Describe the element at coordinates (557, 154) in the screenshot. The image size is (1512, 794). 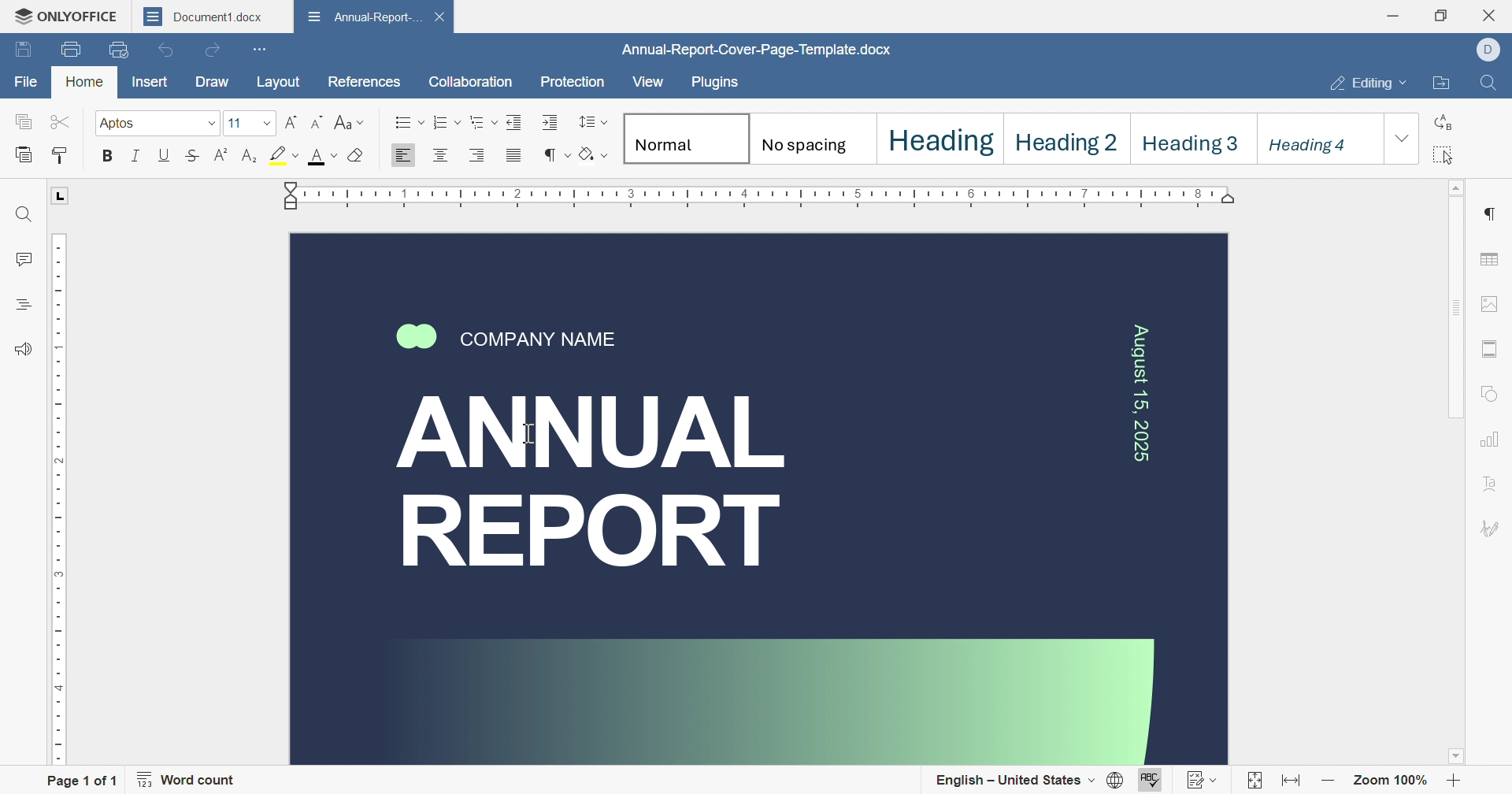
I see `nonprinting characters` at that location.